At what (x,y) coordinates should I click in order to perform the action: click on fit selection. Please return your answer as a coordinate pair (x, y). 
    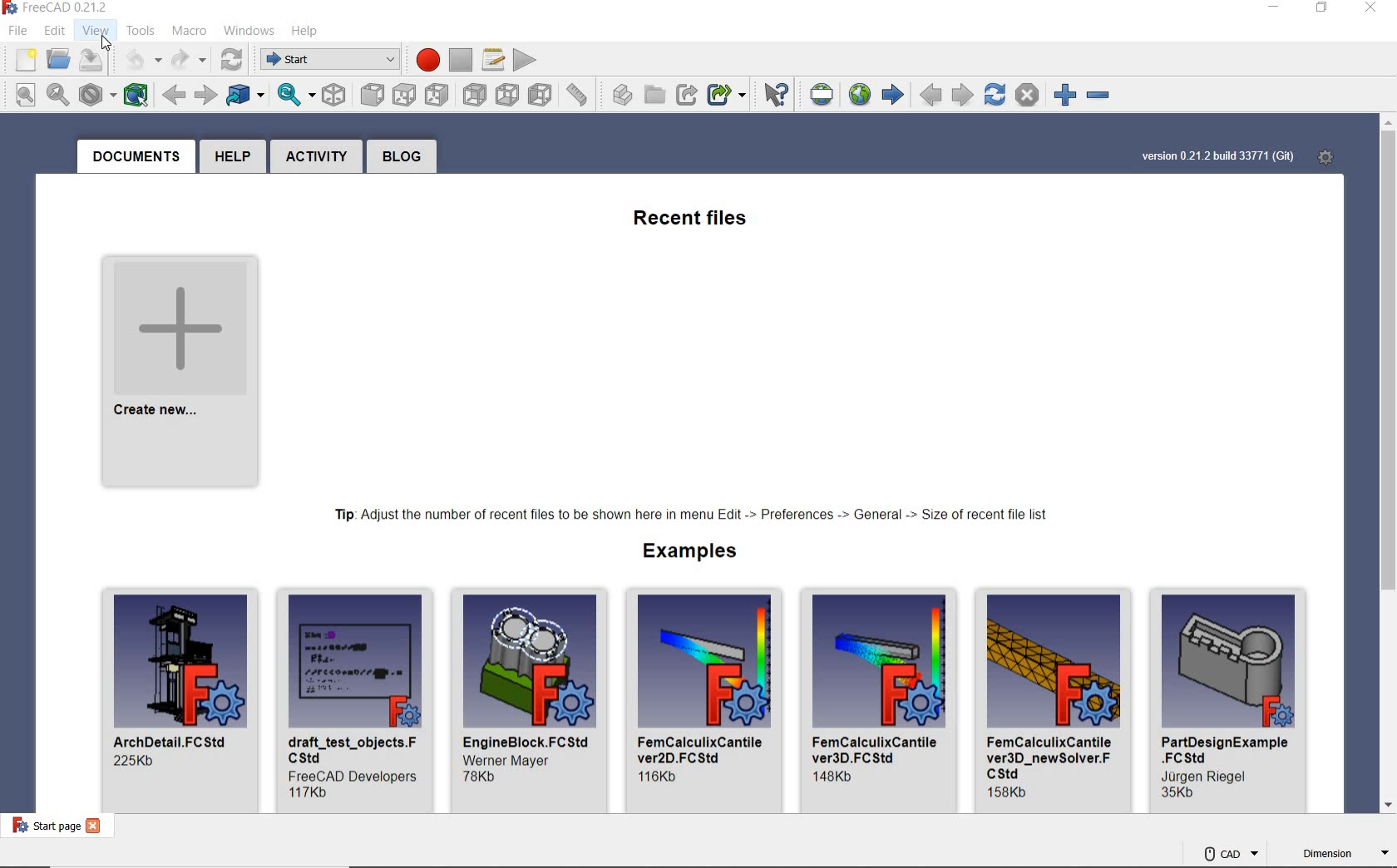
    Looking at the image, I should click on (57, 94).